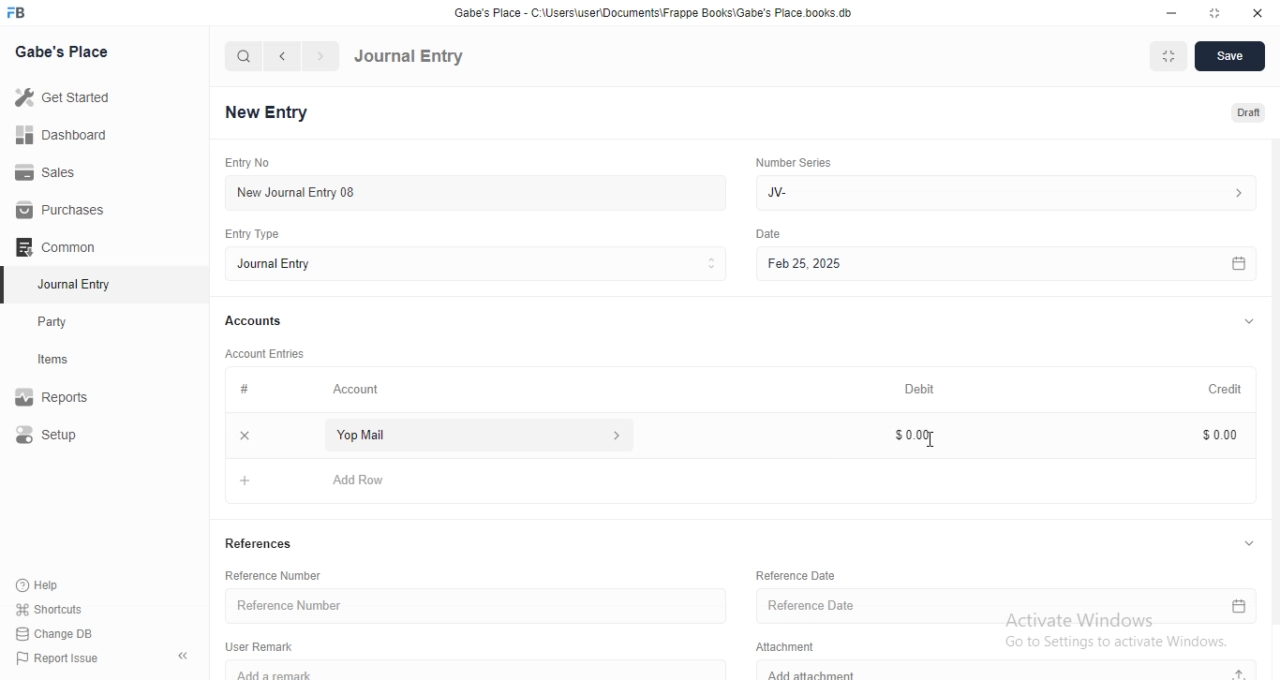 The width and height of the screenshot is (1280, 680). What do you see at coordinates (243, 390) in the screenshot?
I see `#` at bounding box center [243, 390].